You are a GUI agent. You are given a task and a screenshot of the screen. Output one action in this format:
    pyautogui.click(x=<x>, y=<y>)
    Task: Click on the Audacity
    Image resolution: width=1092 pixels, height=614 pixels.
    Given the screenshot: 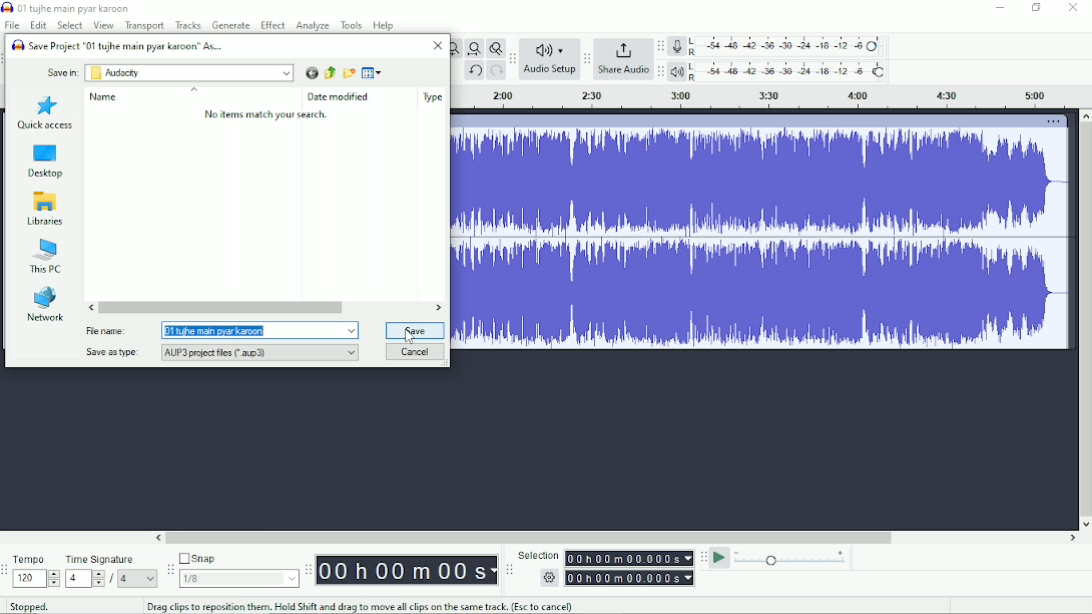 What is the action you would take?
    pyautogui.click(x=188, y=73)
    